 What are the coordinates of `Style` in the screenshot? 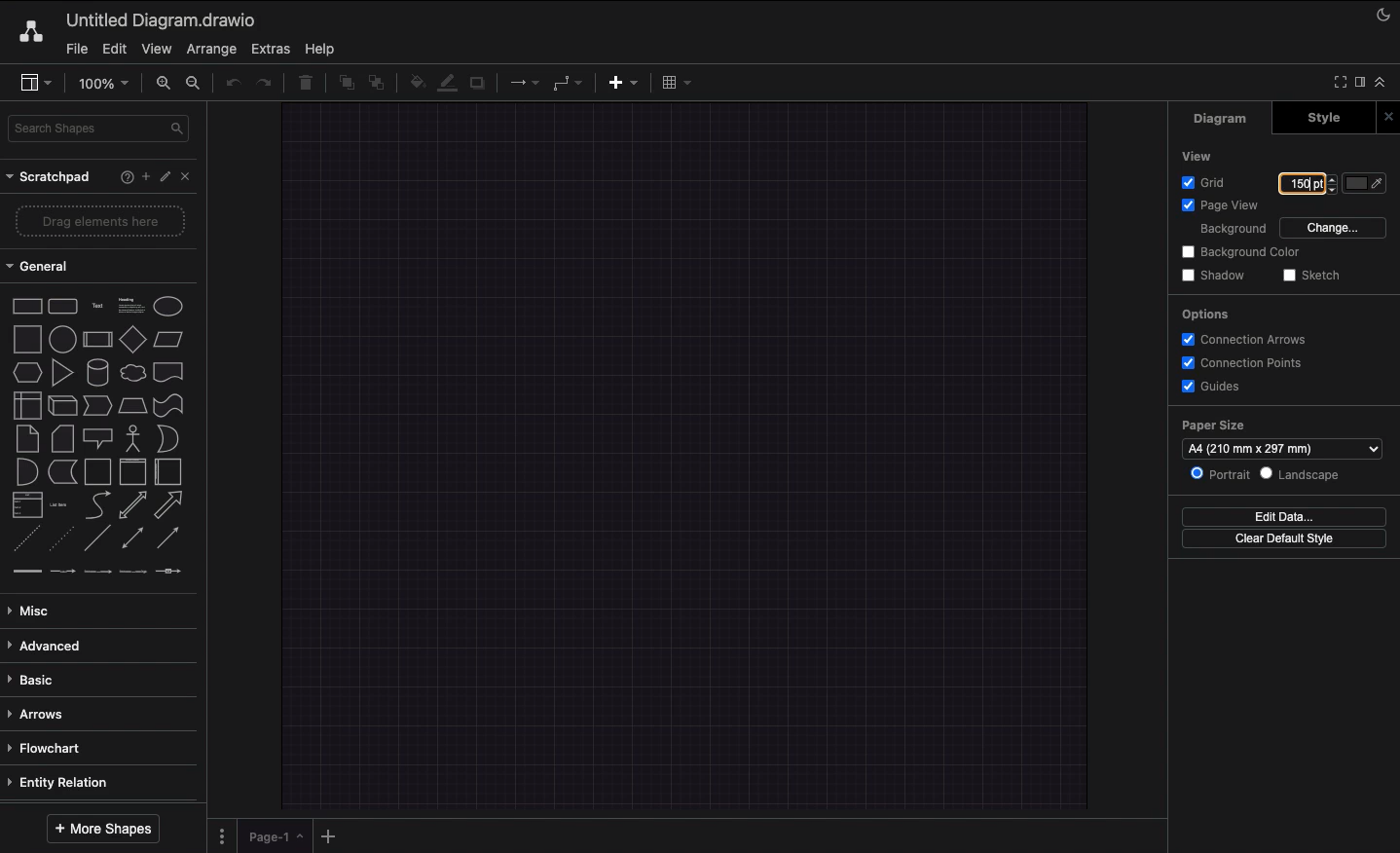 It's located at (1315, 119).